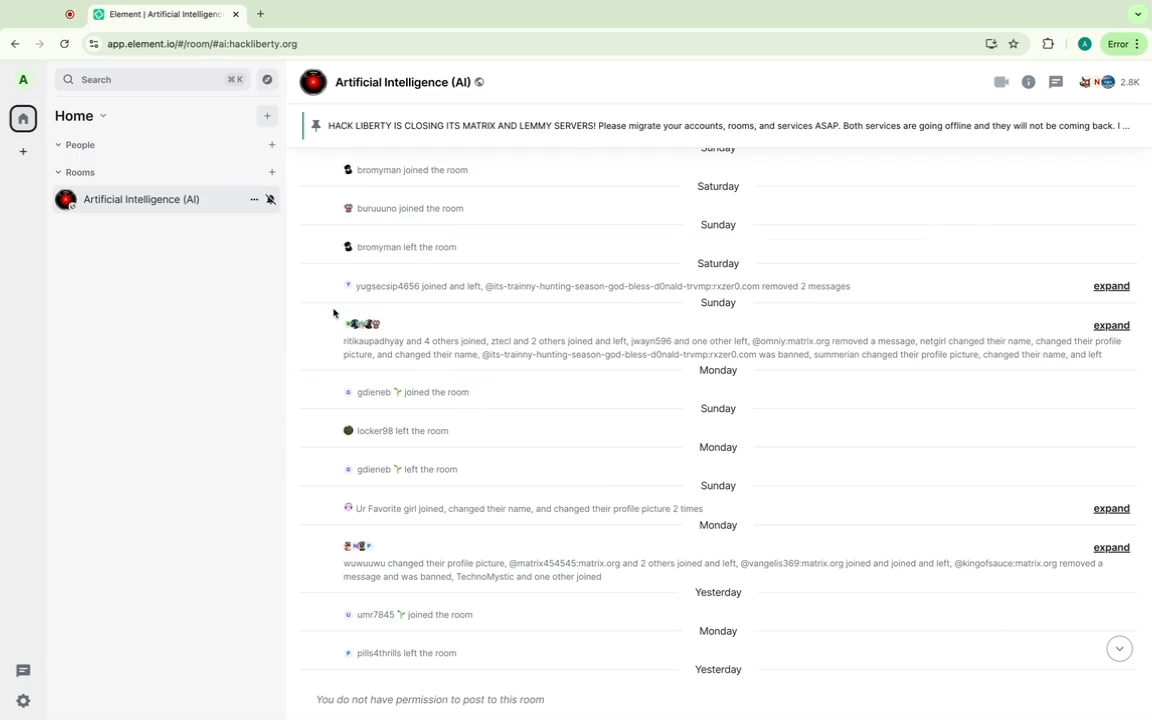 This screenshot has width=1152, height=720. I want to click on Day, so click(717, 633).